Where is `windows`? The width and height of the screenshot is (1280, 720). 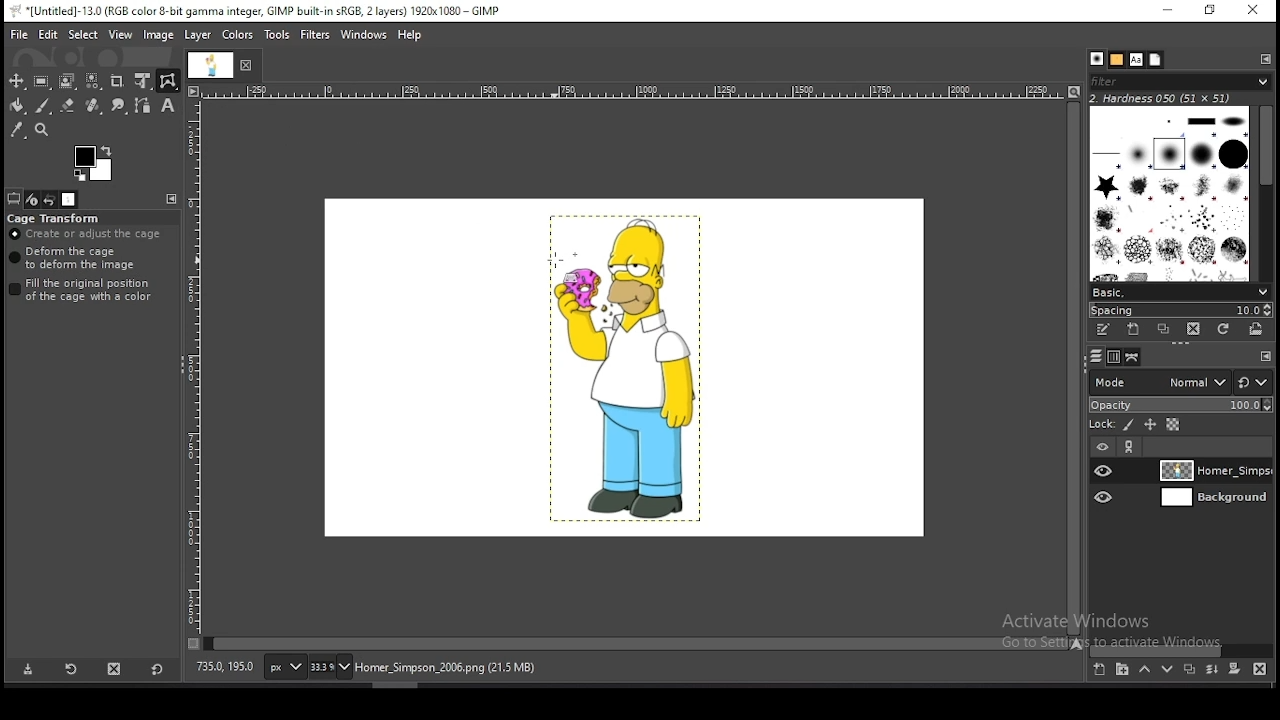
windows is located at coordinates (364, 33).